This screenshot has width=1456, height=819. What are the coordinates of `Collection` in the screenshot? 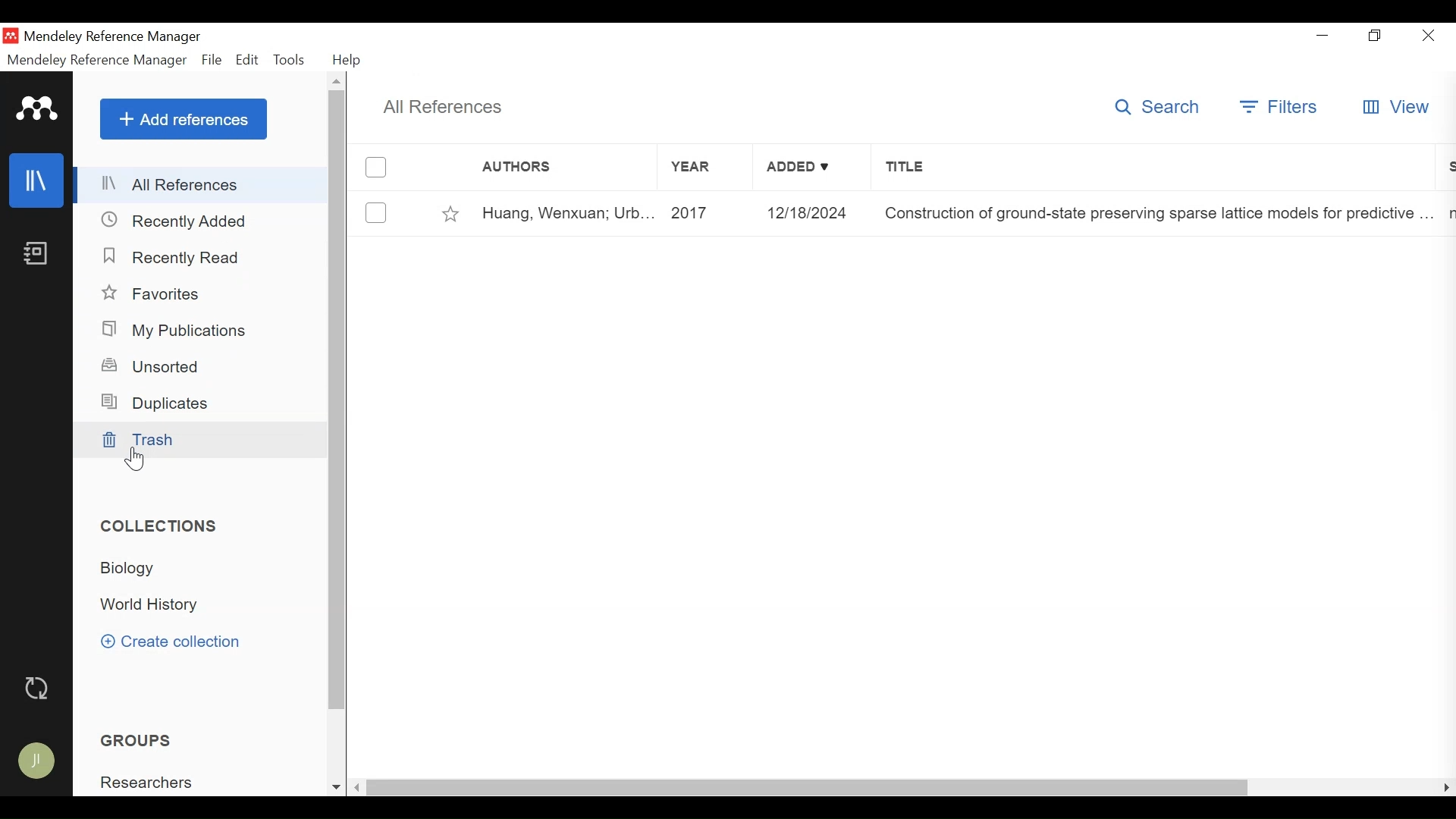 It's located at (137, 568).